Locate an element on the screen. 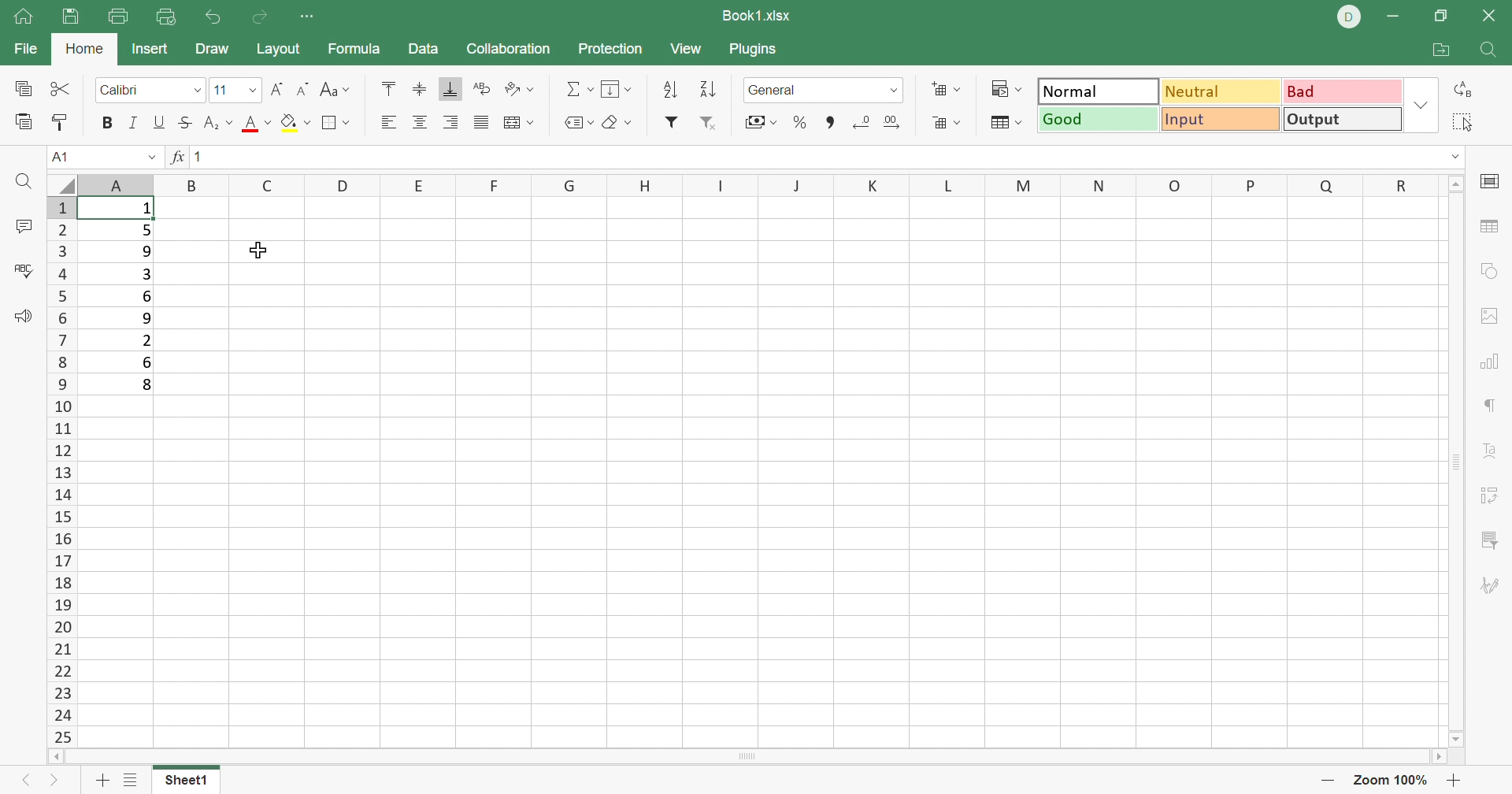 The image size is (1512, 794). Strikethrough is located at coordinates (186, 122).